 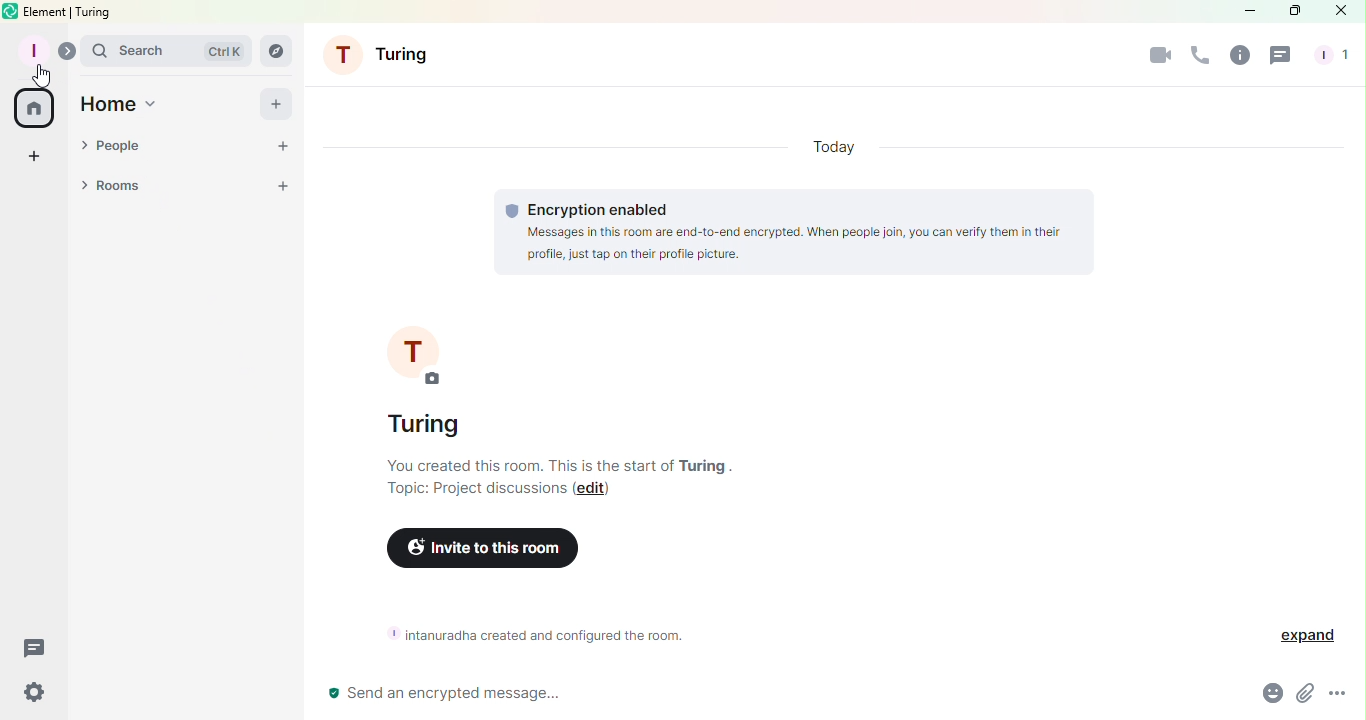 What do you see at coordinates (750, 694) in the screenshot?
I see `Write messages` at bounding box center [750, 694].